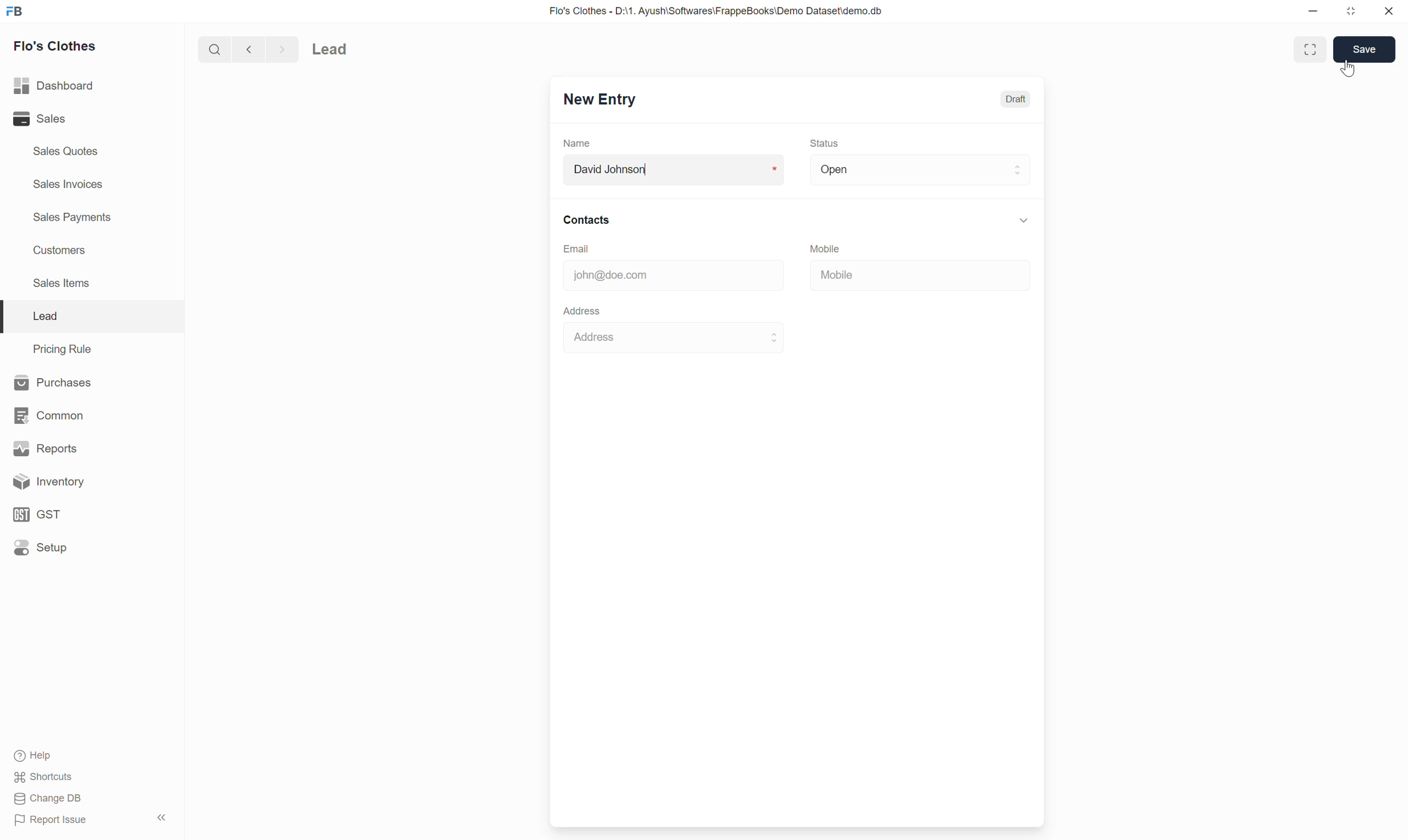 The height and width of the screenshot is (840, 1408). Describe the element at coordinates (1306, 49) in the screenshot. I see `Expand` at that location.